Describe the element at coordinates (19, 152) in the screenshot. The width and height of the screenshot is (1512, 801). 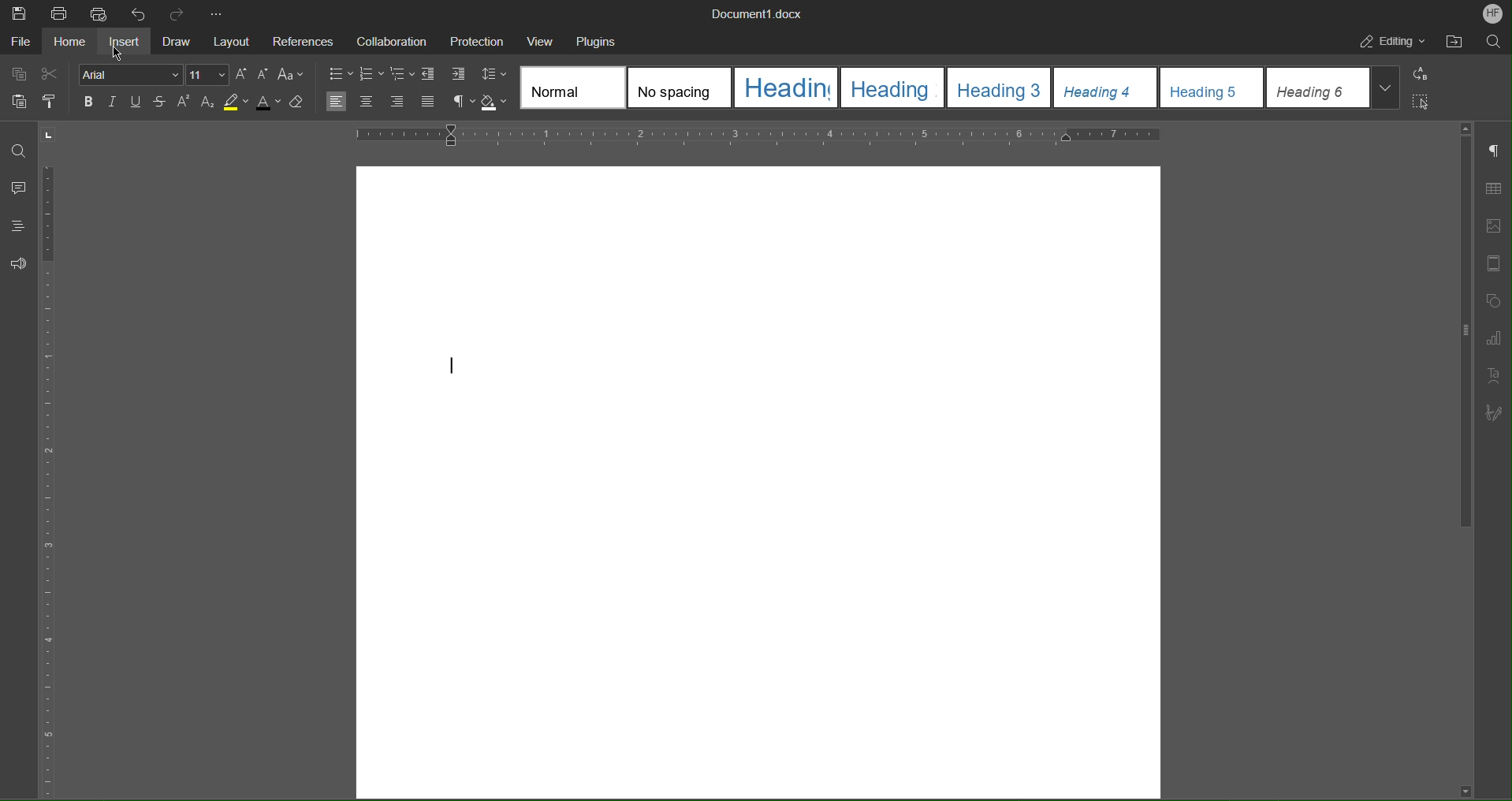
I see `Find` at that location.